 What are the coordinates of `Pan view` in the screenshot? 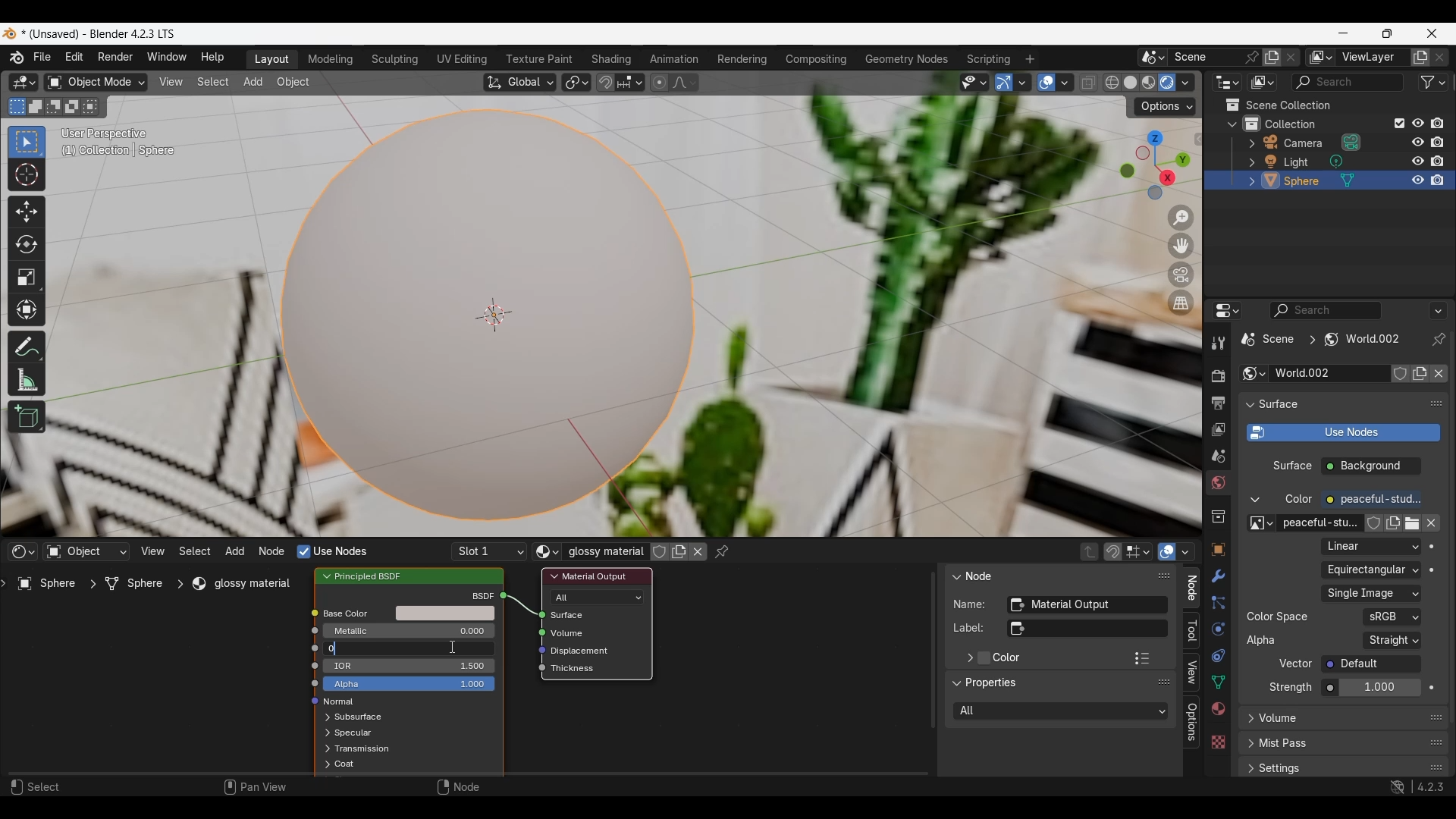 It's located at (255, 786).